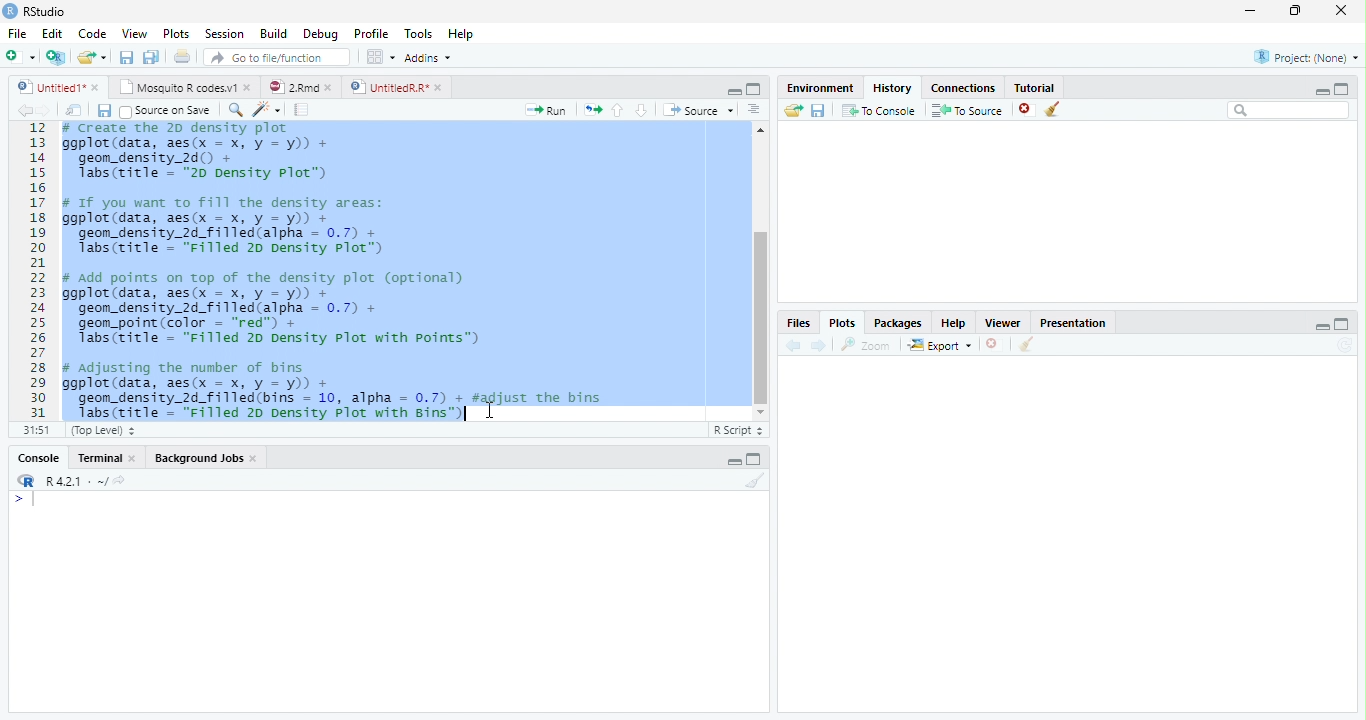  I want to click on Viewer, so click(1001, 322).